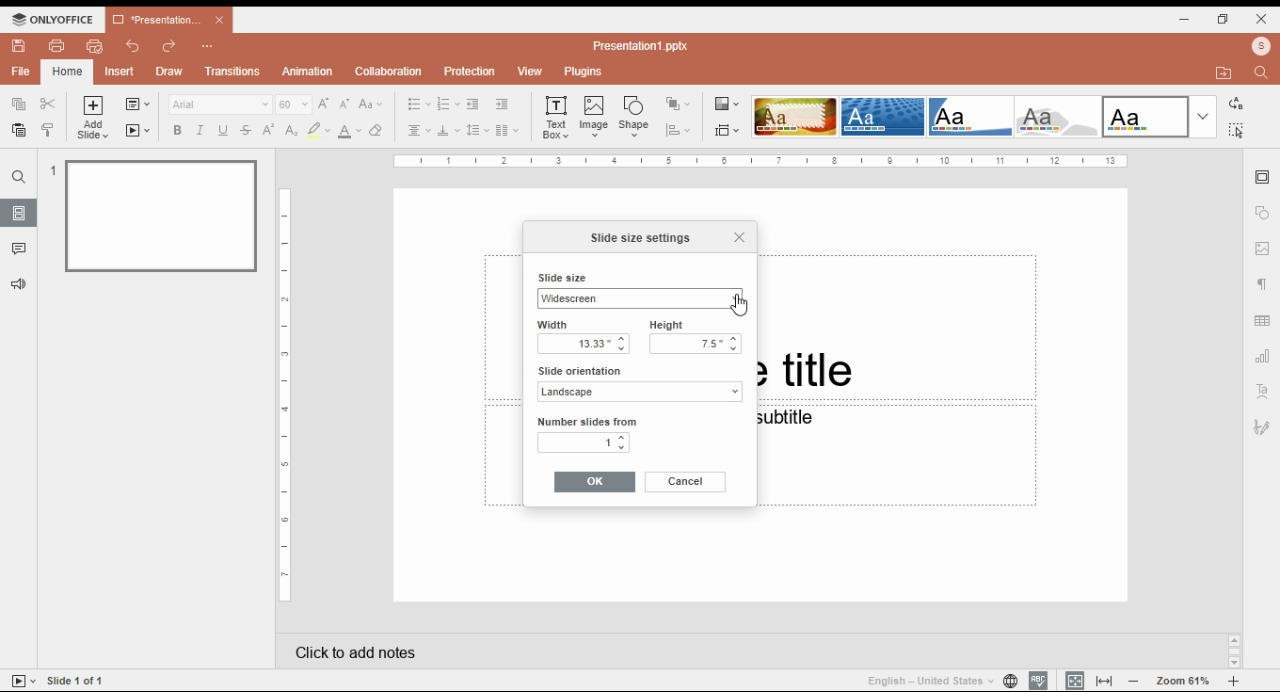 The height and width of the screenshot is (692, 1280). Describe the element at coordinates (634, 371) in the screenshot. I see `slide orientation` at that location.